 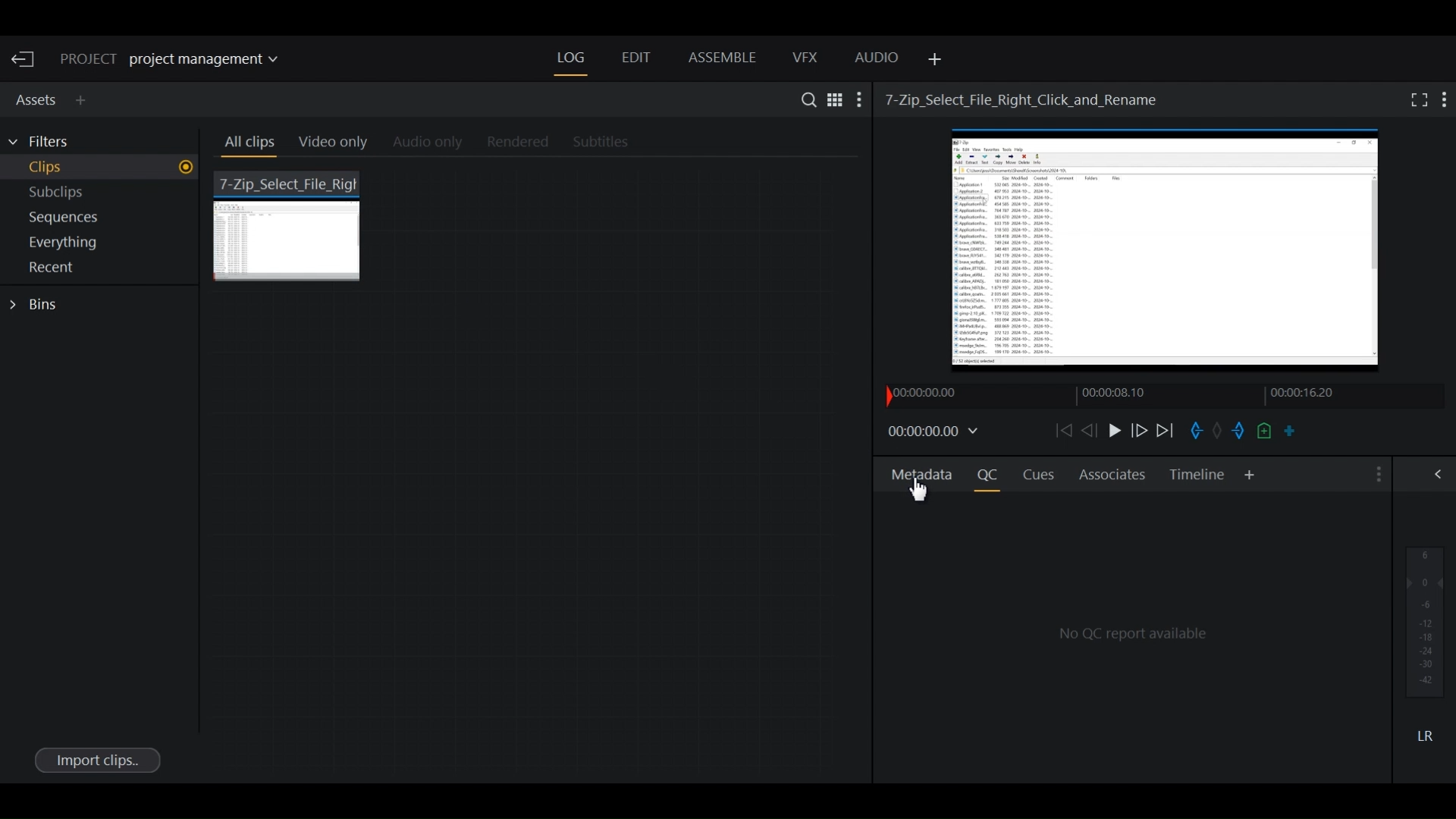 What do you see at coordinates (290, 224) in the screenshot?
I see `7 zip` at bounding box center [290, 224].